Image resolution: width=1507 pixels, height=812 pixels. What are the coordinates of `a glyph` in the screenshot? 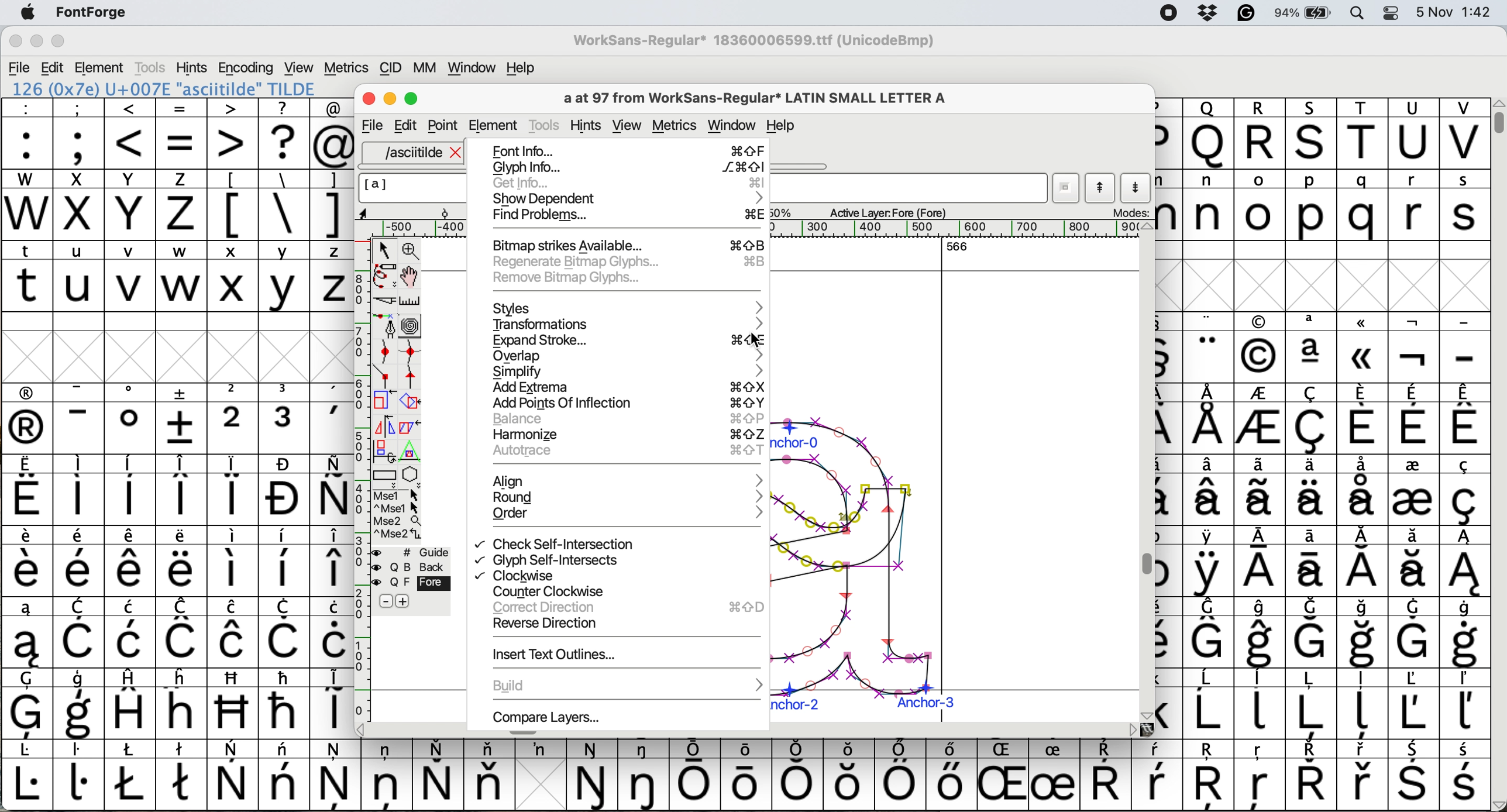 It's located at (870, 646).